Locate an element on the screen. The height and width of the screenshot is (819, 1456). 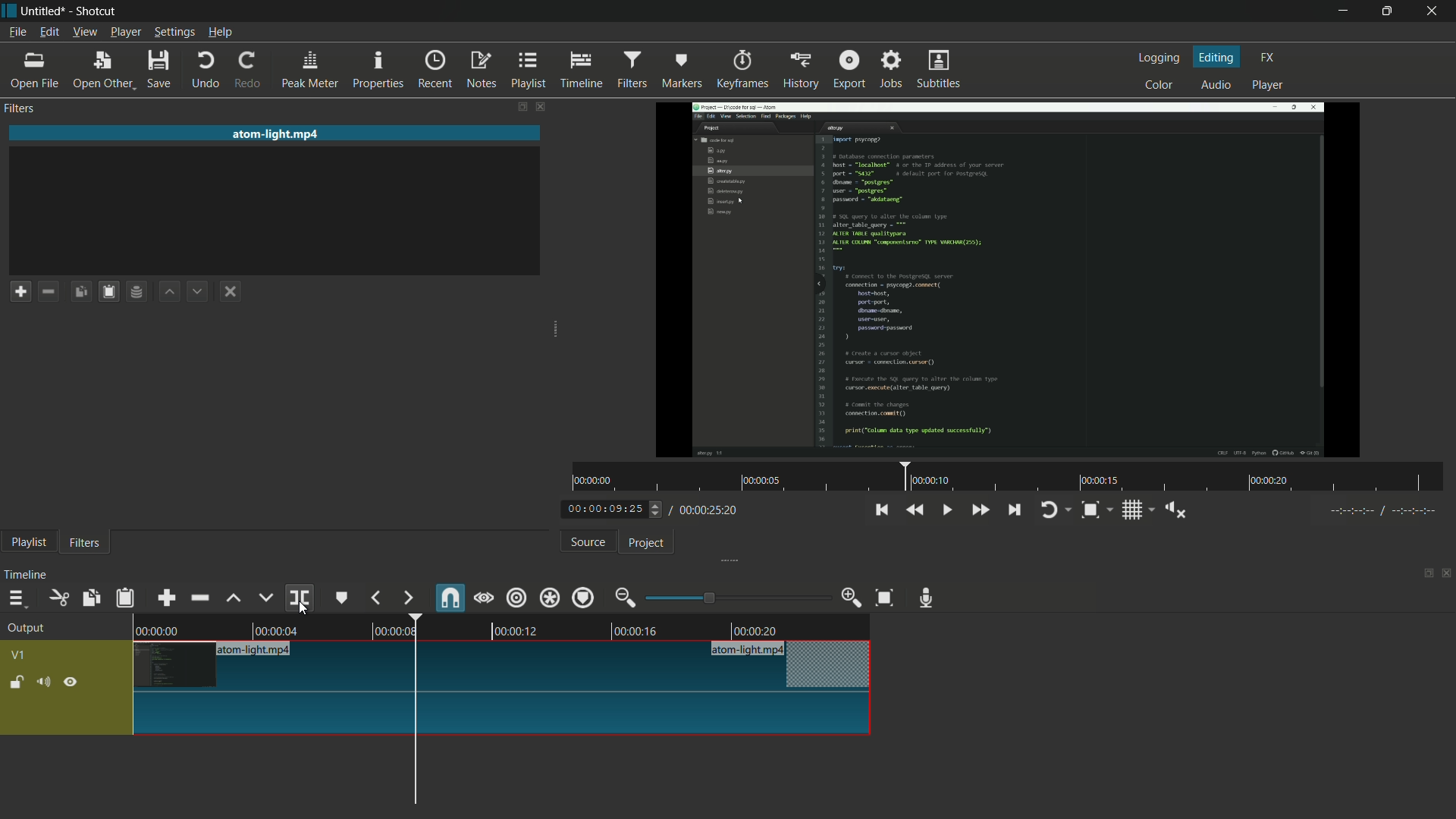
export is located at coordinates (849, 67).